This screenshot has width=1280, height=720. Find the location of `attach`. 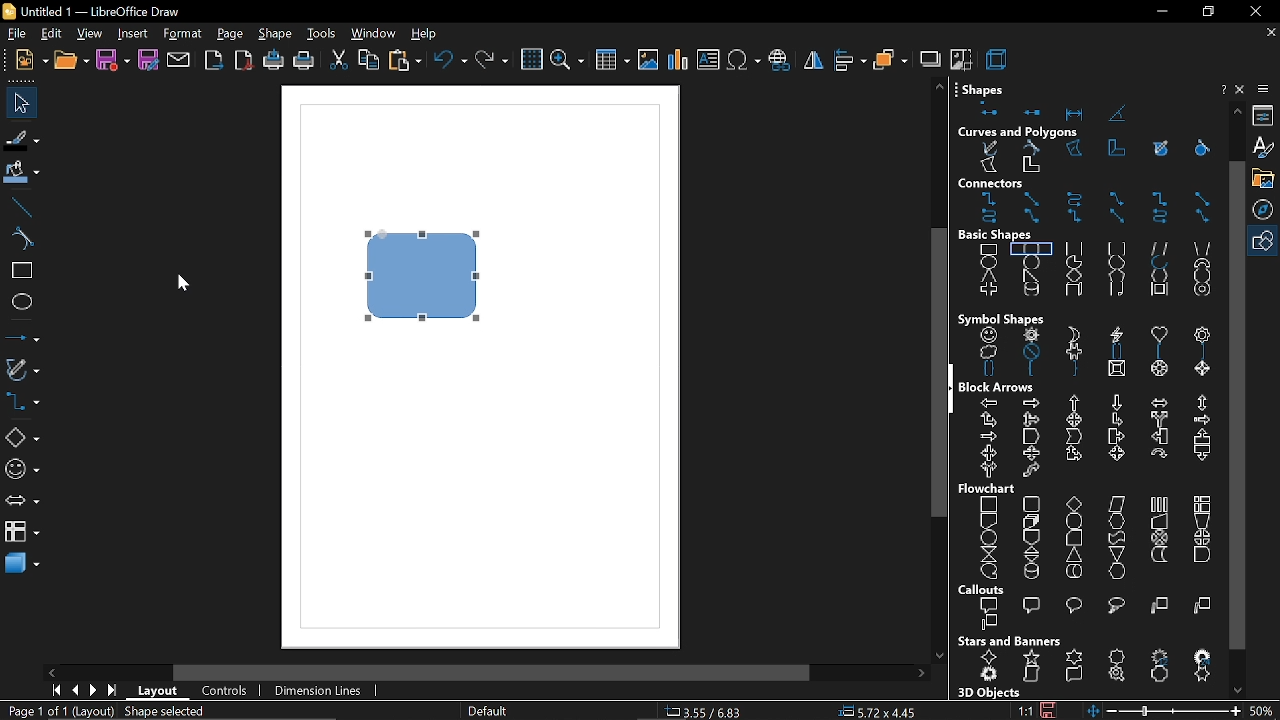

attach is located at coordinates (180, 61).